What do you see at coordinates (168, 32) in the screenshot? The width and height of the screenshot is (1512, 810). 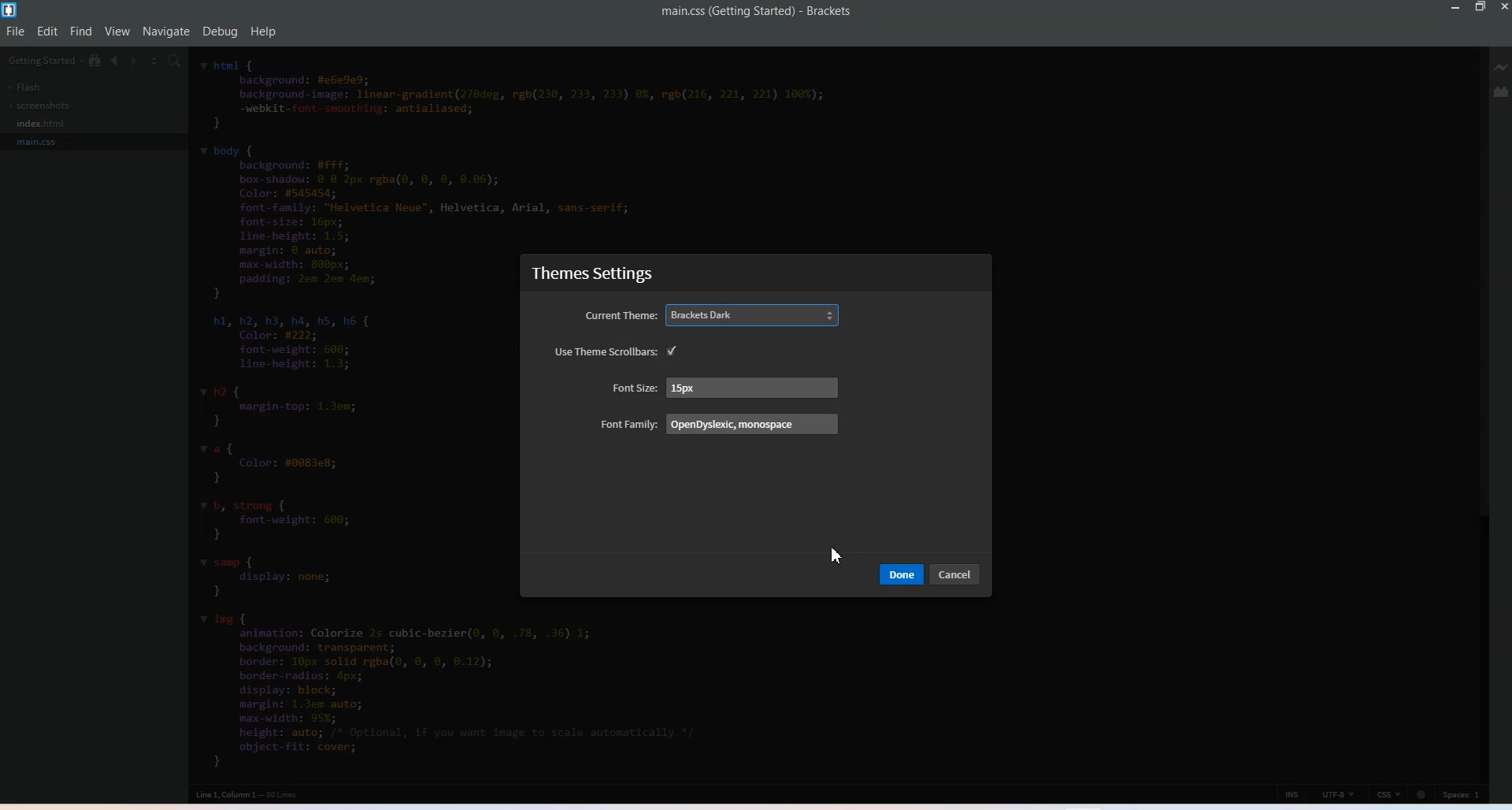 I see `Navigate` at bounding box center [168, 32].